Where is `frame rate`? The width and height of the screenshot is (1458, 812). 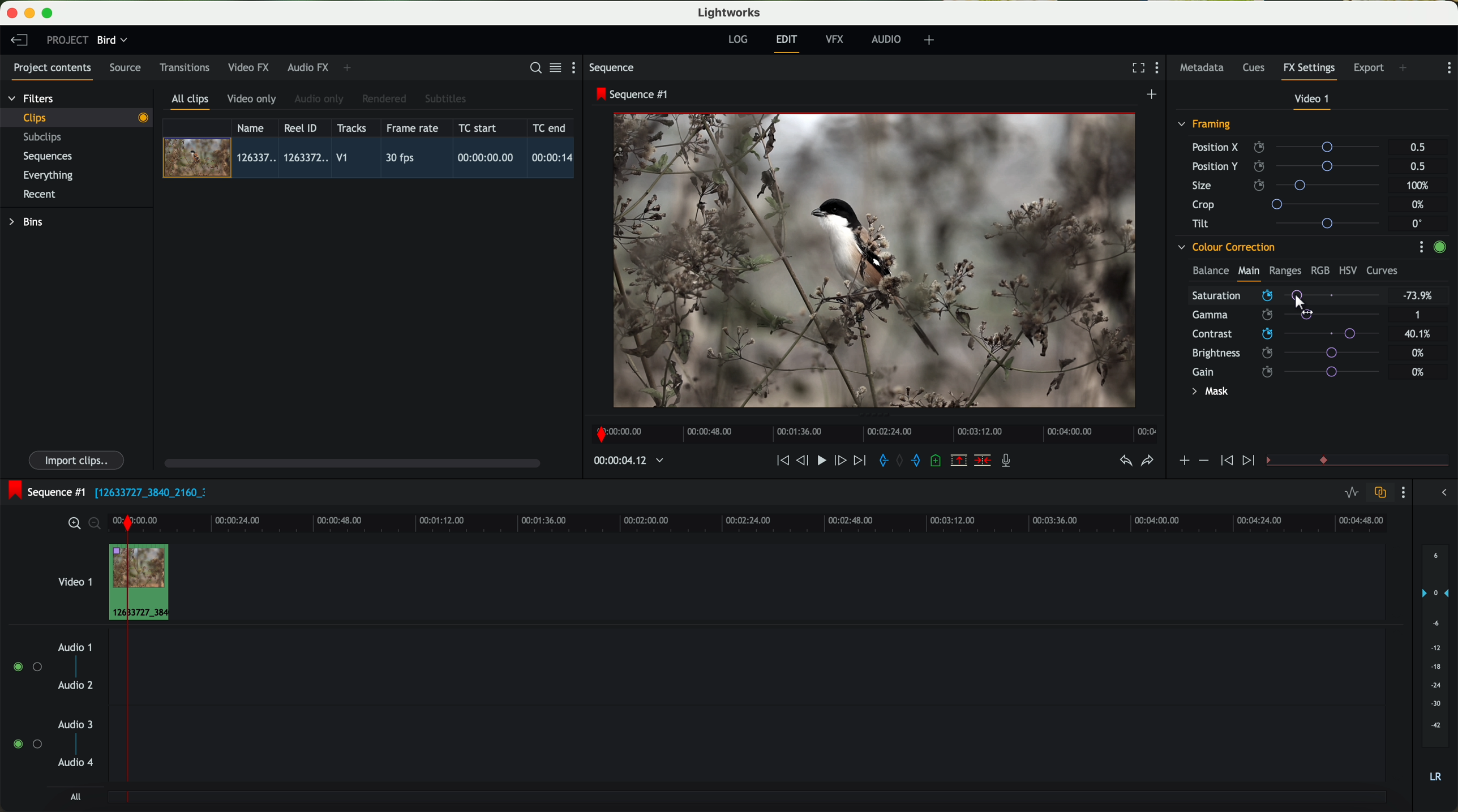
frame rate is located at coordinates (413, 128).